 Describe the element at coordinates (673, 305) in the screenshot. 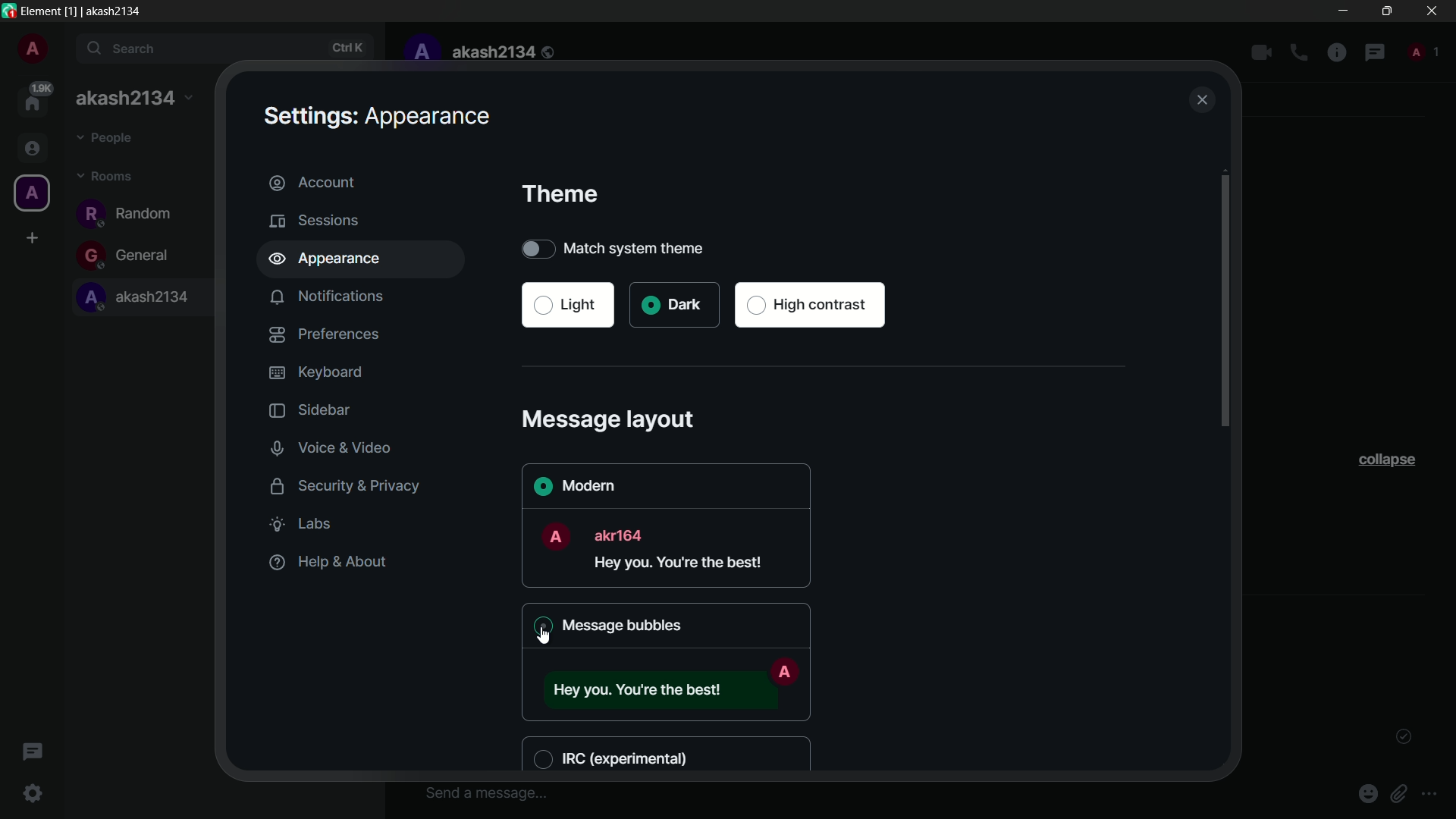

I see `dark` at that location.